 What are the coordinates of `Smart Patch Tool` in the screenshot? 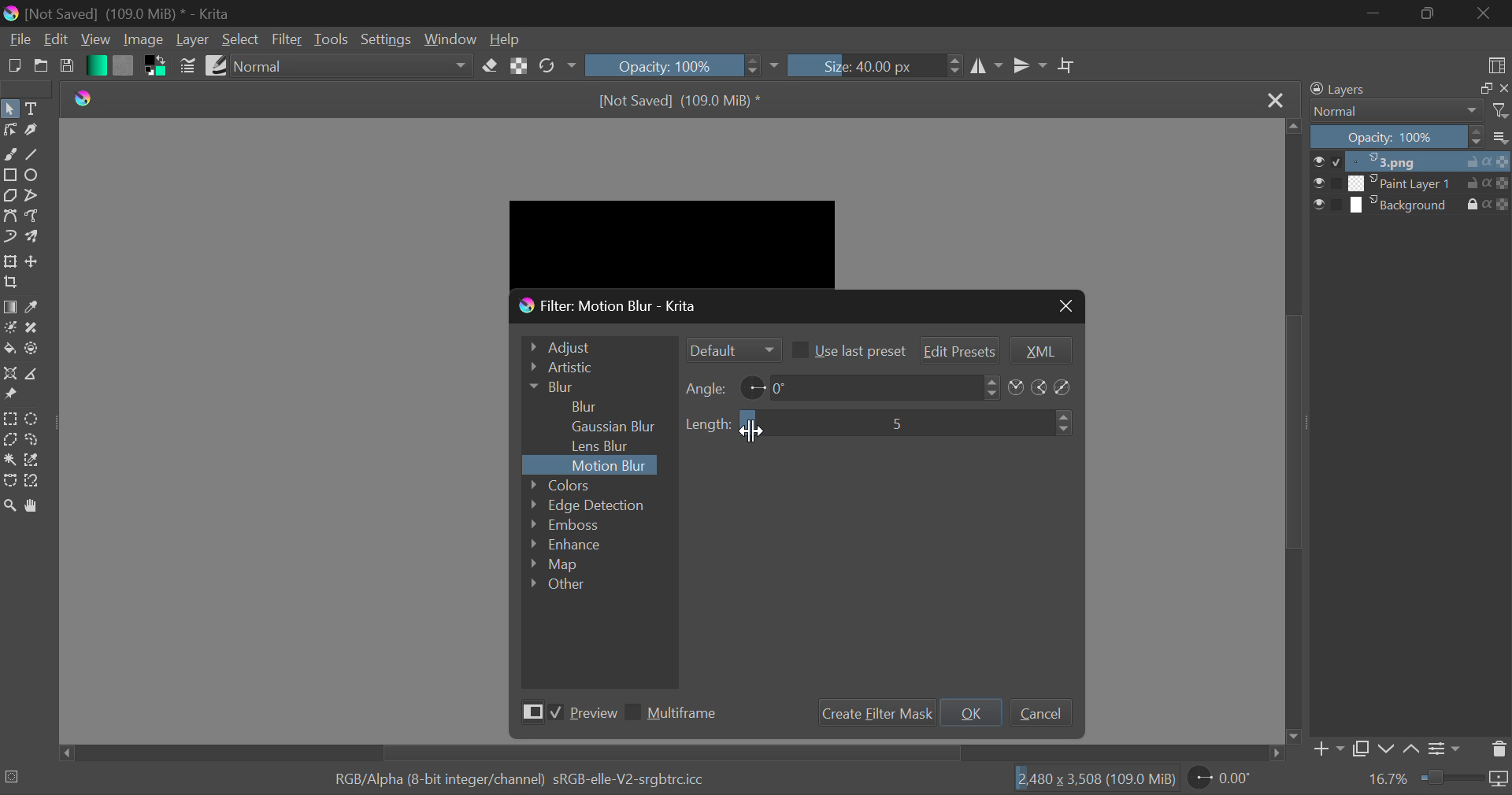 It's located at (30, 330).